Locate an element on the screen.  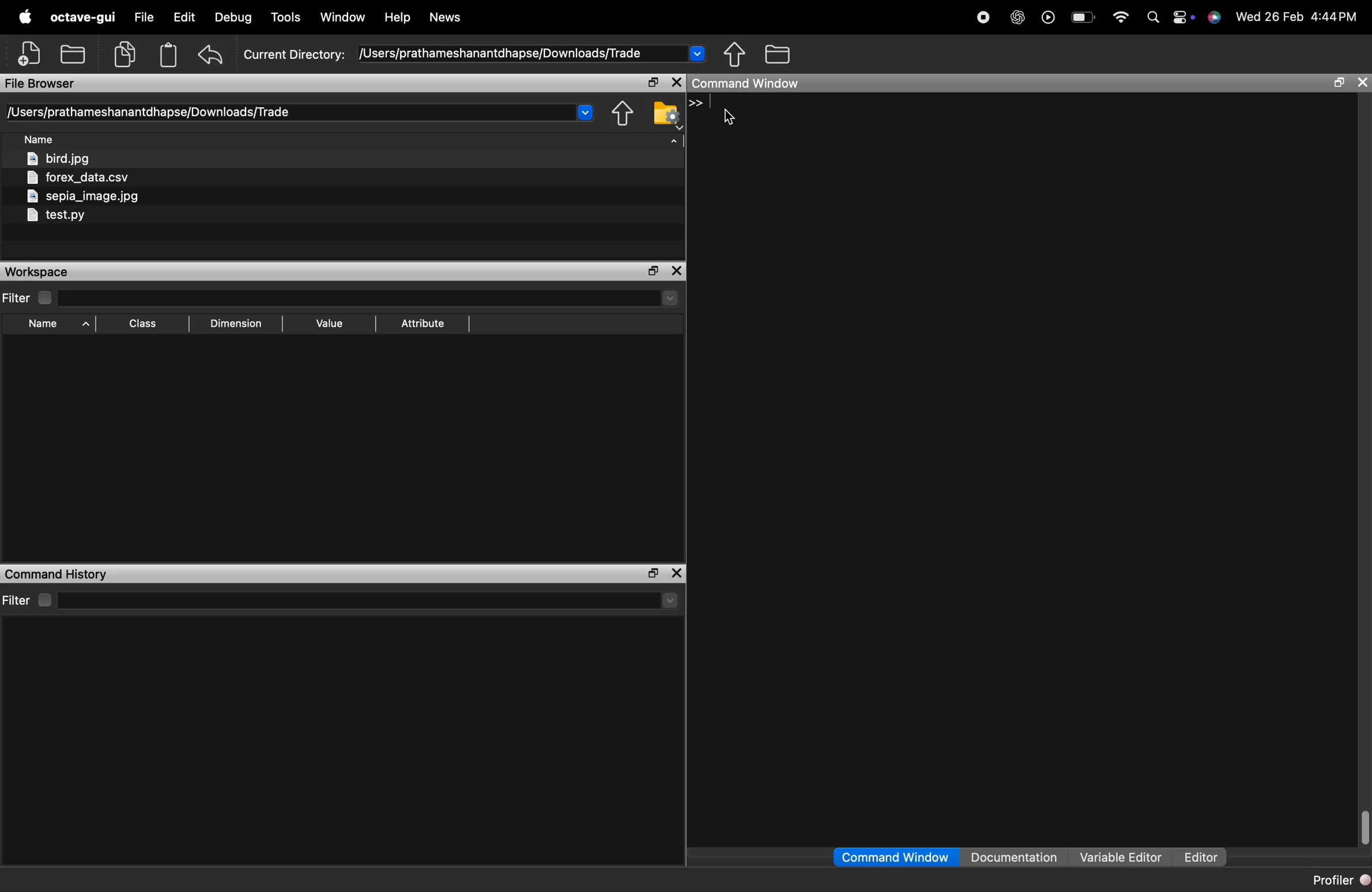
Variable Editor is located at coordinates (1123, 856).